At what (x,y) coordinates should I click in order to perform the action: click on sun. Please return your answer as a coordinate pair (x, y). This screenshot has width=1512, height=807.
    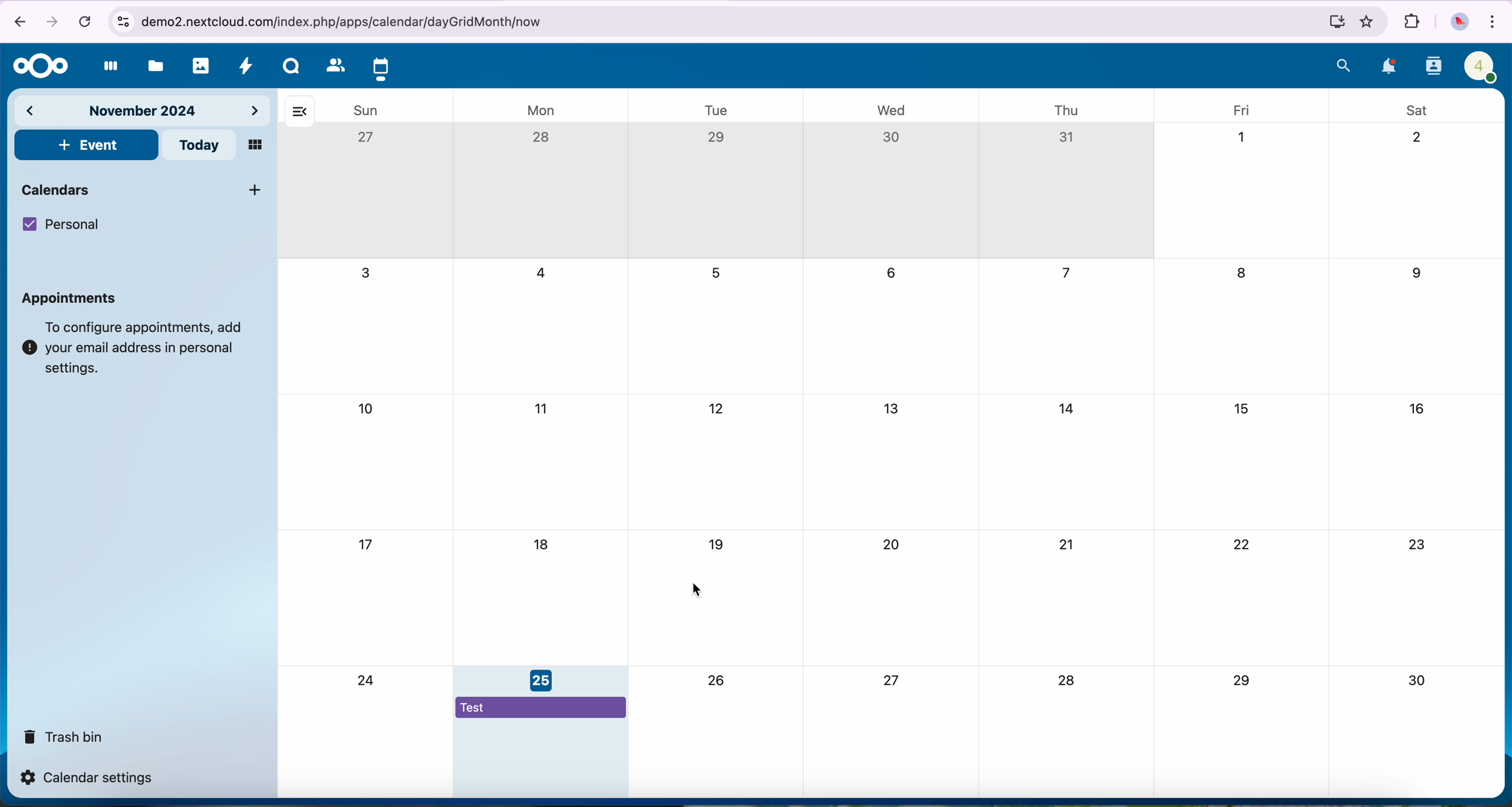
    Looking at the image, I should click on (366, 110).